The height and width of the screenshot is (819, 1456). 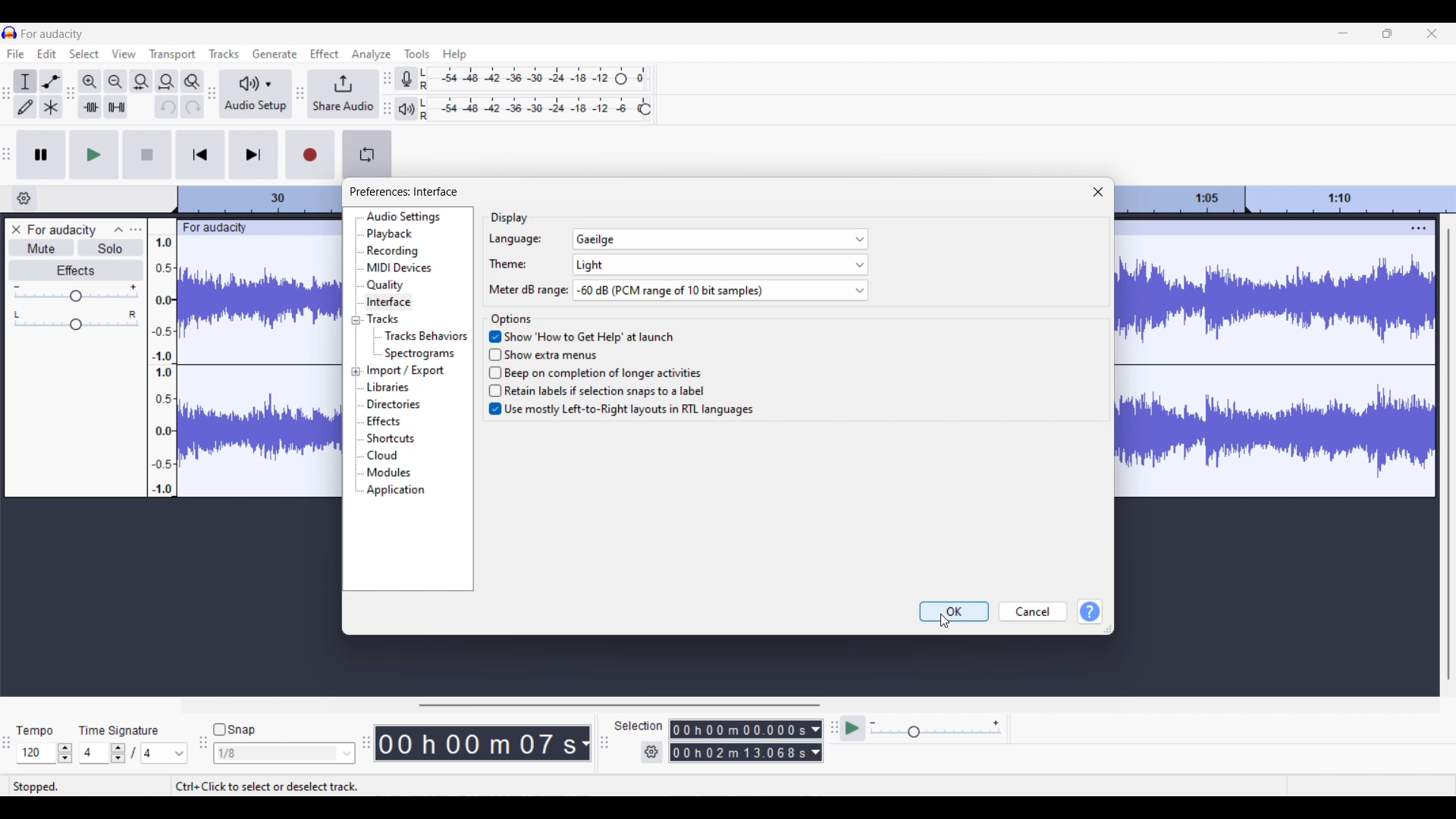 What do you see at coordinates (645, 109) in the screenshot?
I see `Playback level header` at bounding box center [645, 109].